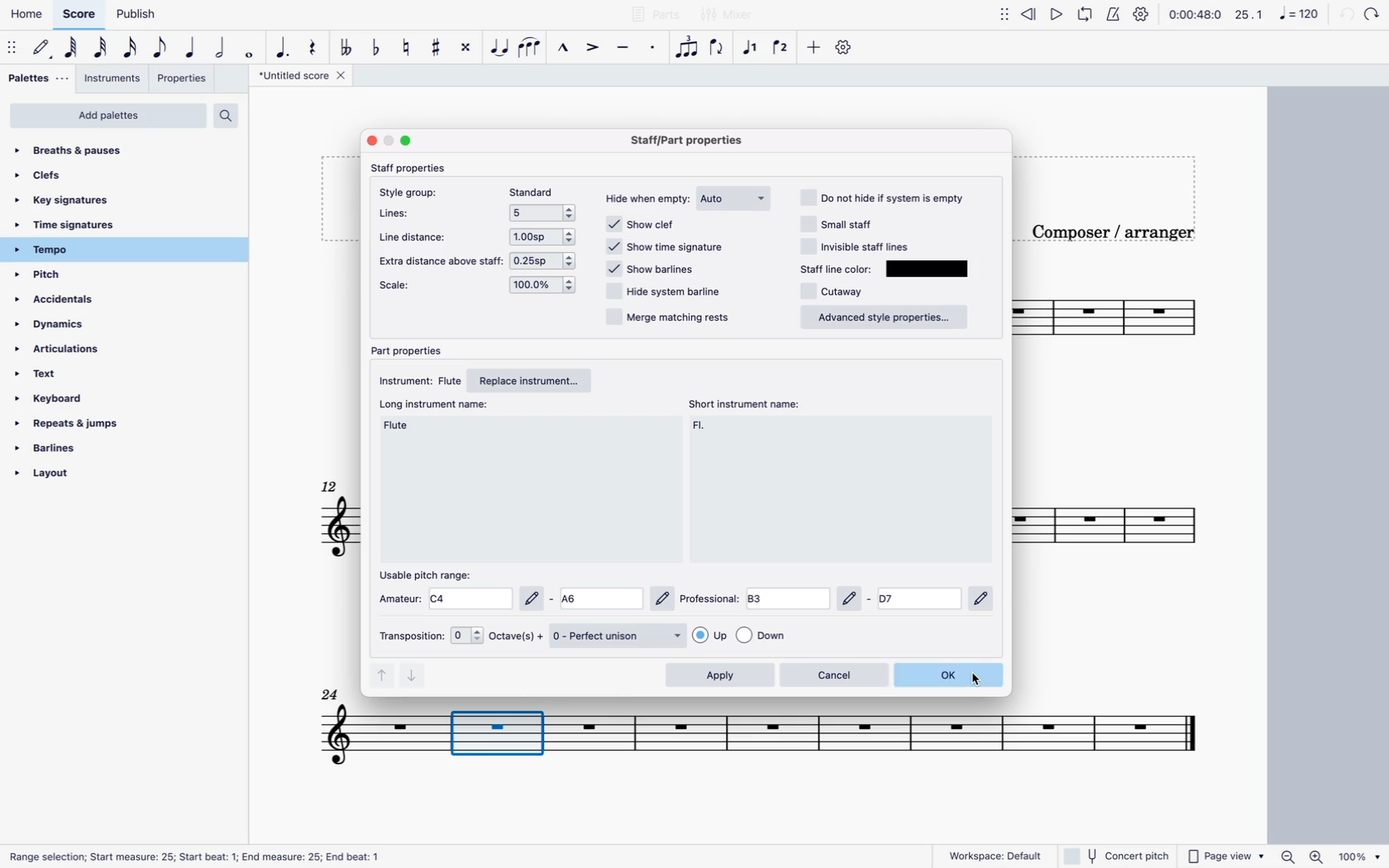 The image size is (1389, 868). Describe the element at coordinates (438, 403) in the screenshot. I see `long instrument name` at that location.